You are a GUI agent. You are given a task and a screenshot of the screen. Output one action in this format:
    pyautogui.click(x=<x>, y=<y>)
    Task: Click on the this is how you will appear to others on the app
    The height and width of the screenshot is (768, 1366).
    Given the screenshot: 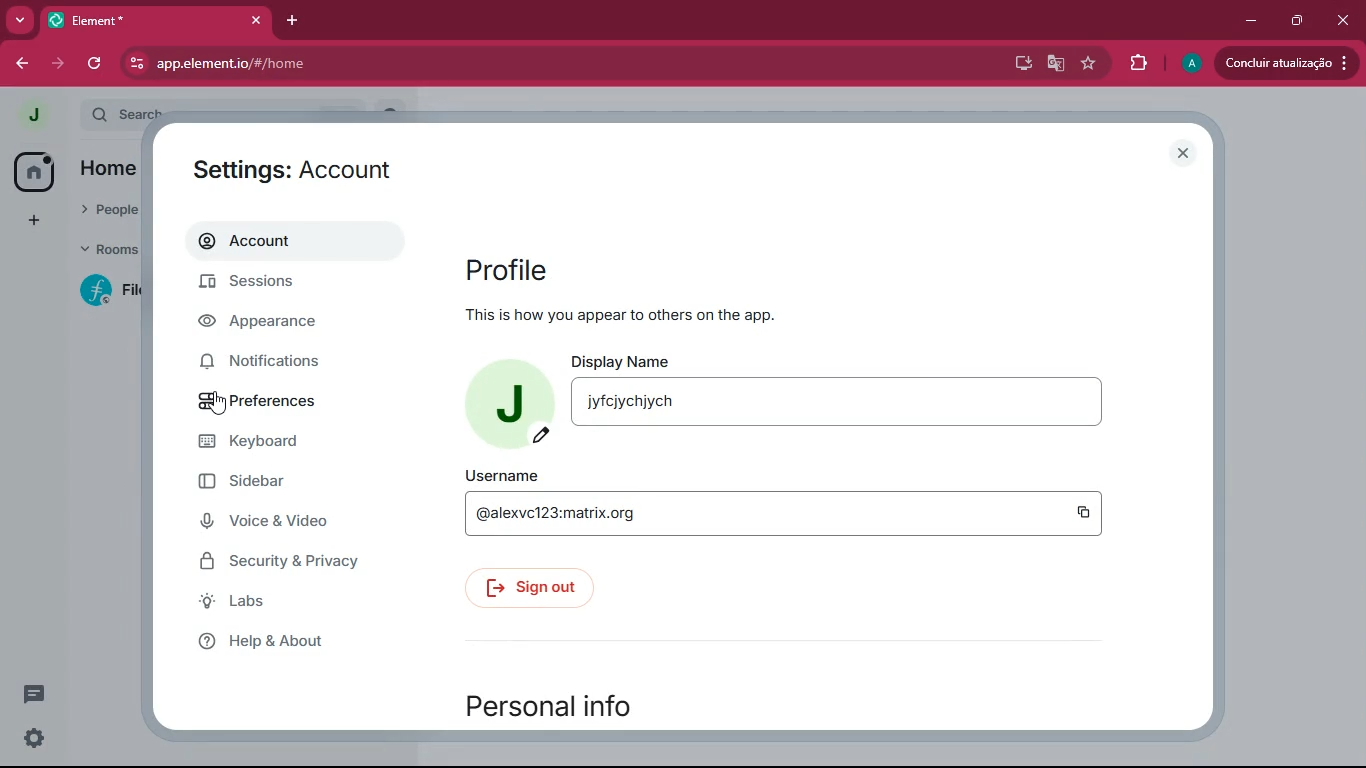 What is the action you would take?
    pyautogui.click(x=668, y=316)
    